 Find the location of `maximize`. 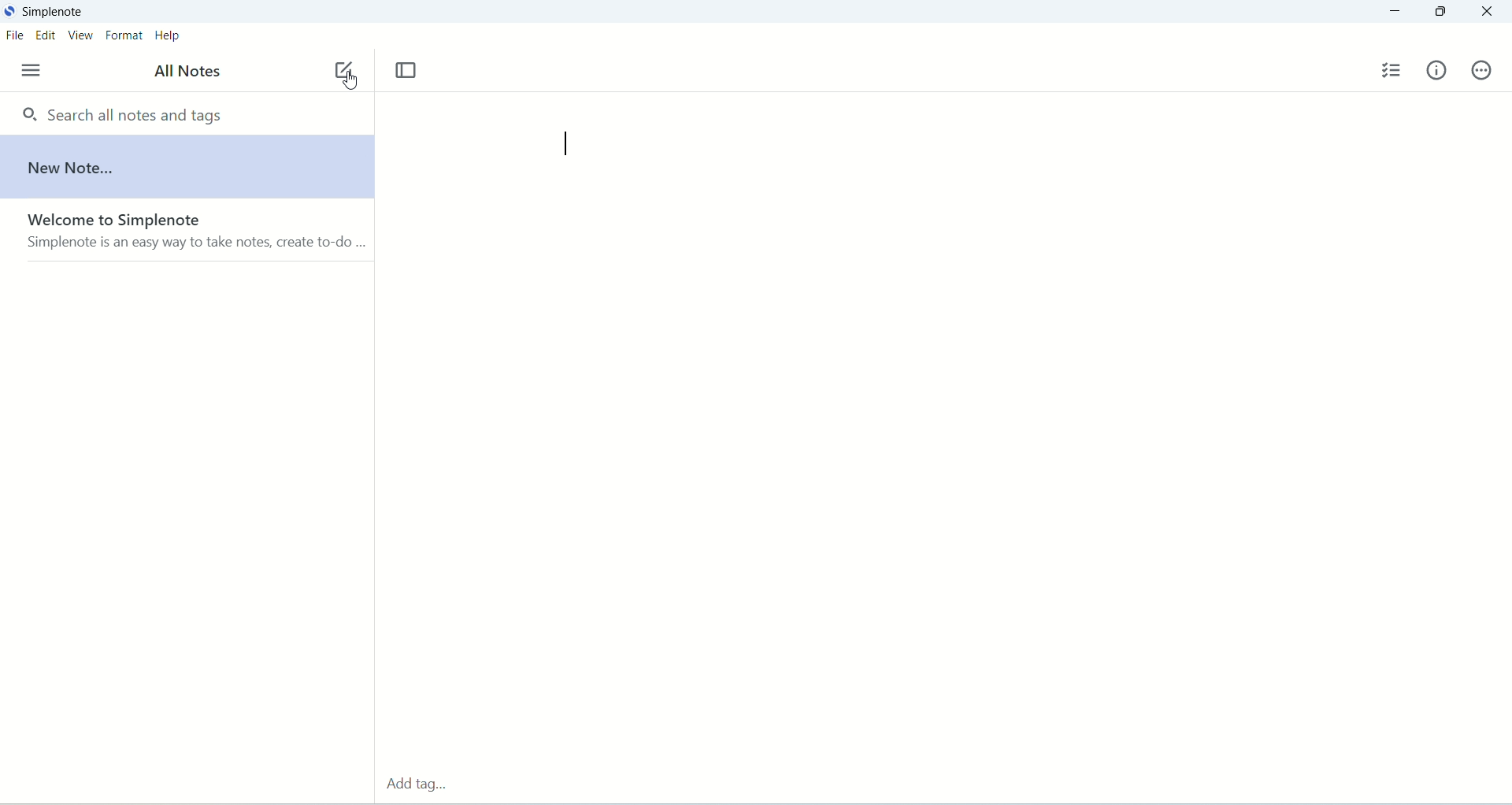

maximize is located at coordinates (1436, 15).